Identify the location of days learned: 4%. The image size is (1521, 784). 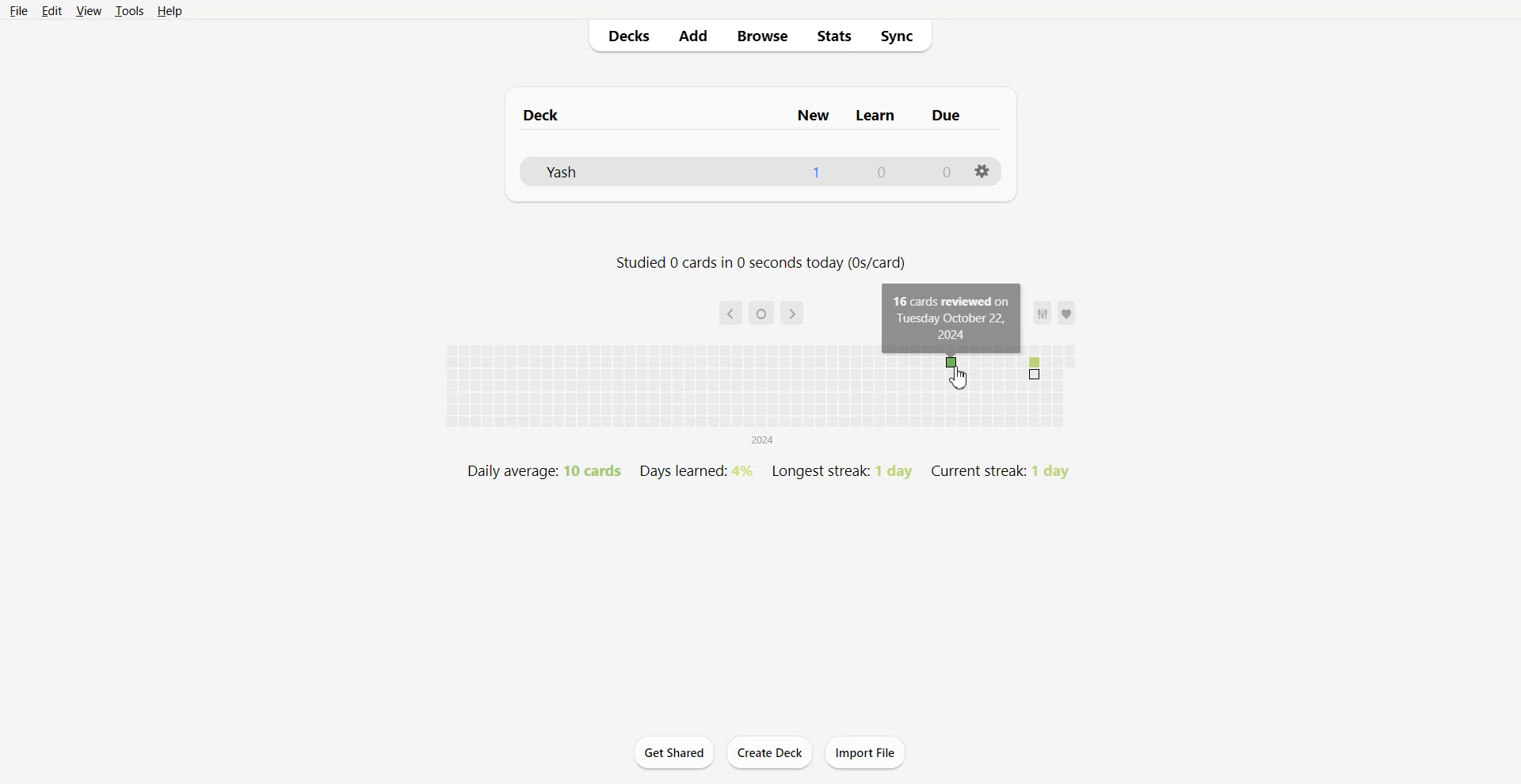
(694, 470).